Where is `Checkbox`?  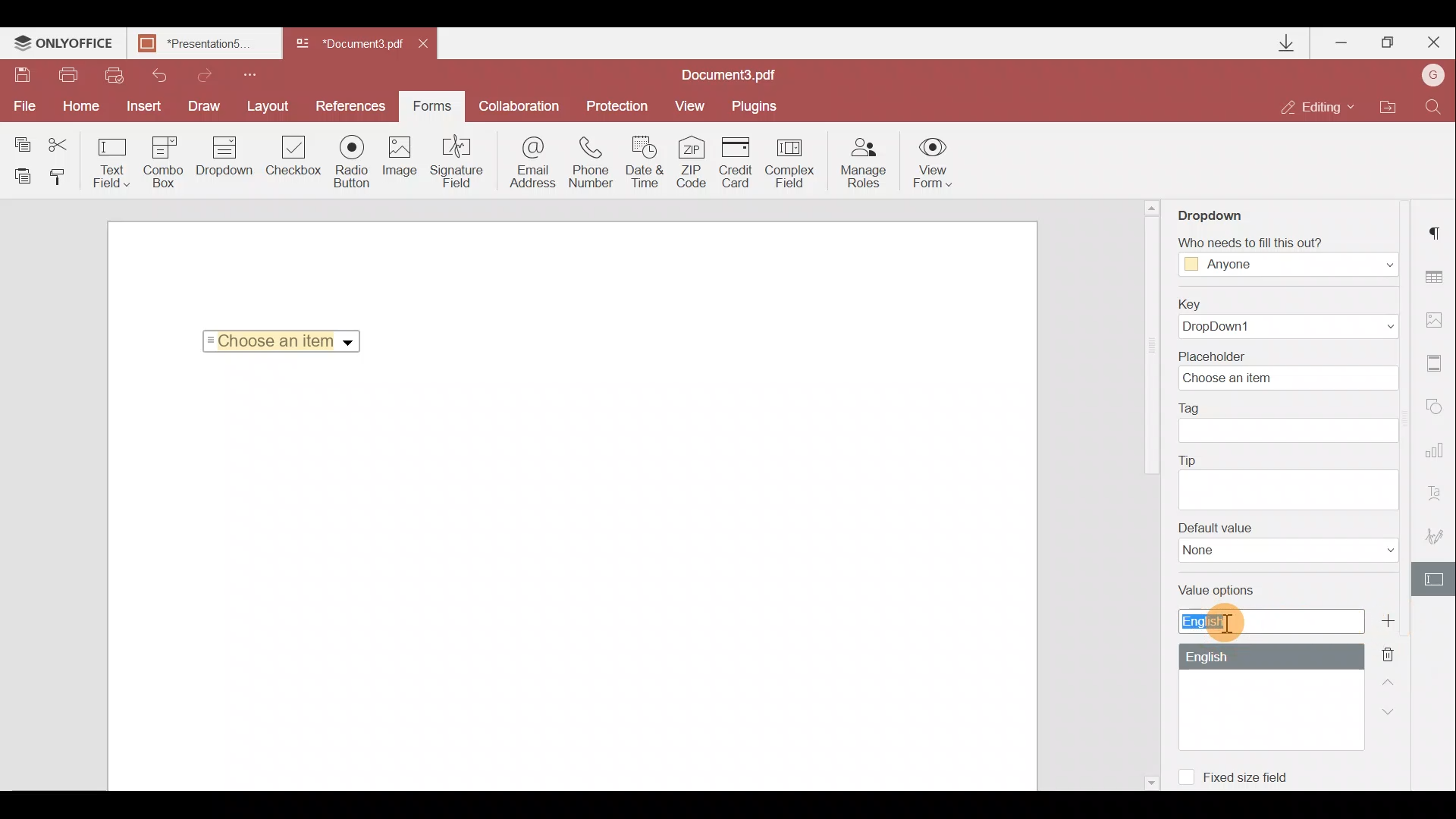 Checkbox is located at coordinates (291, 158).